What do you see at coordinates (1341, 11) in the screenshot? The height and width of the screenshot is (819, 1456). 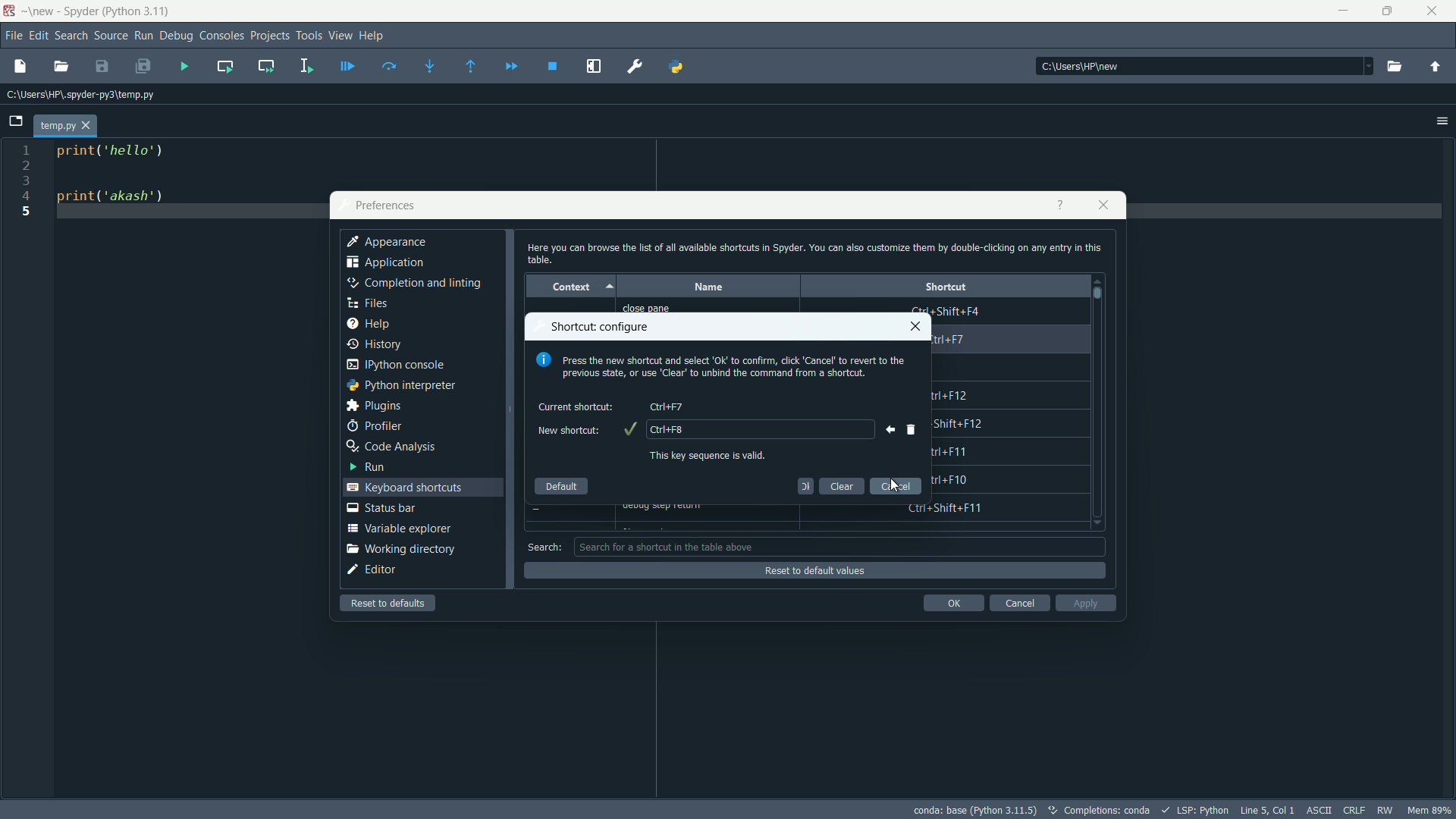 I see `minimize` at bounding box center [1341, 11].